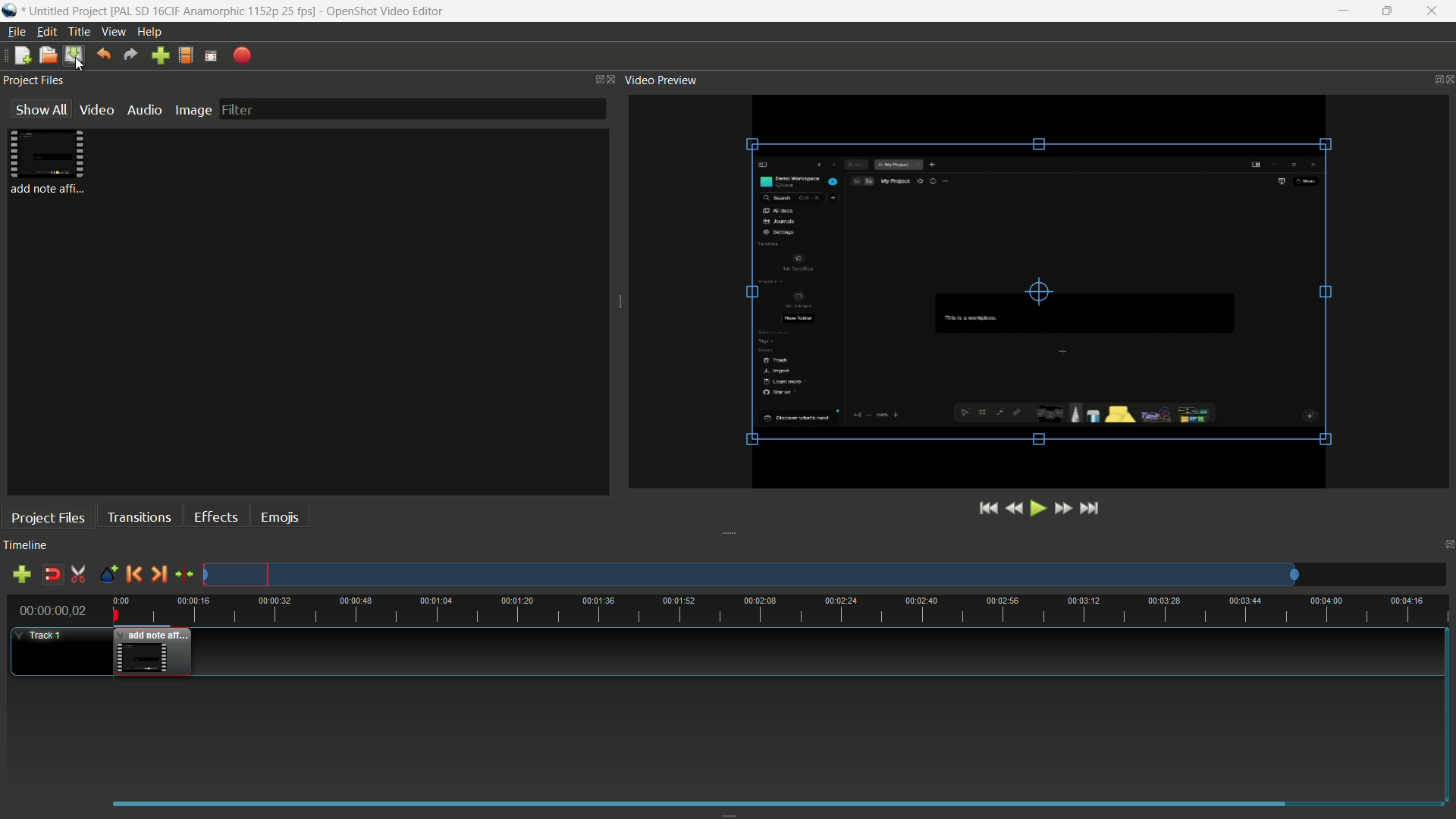 The image size is (1456, 819). Describe the element at coordinates (51, 575) in the screenshot. I see `disable snap` at that location.